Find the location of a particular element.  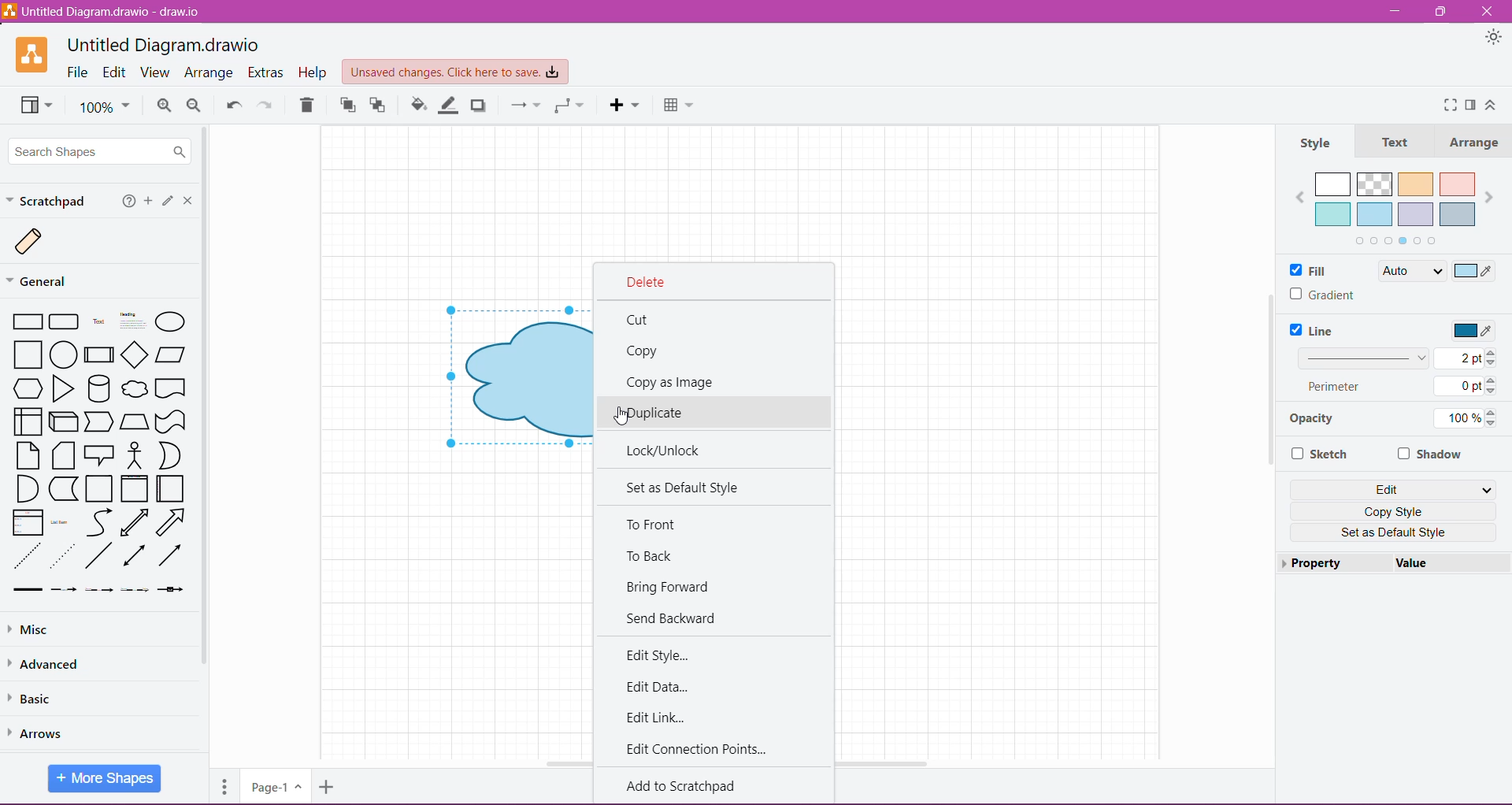

Lock/Unlick is located at coordinates (669, 450).